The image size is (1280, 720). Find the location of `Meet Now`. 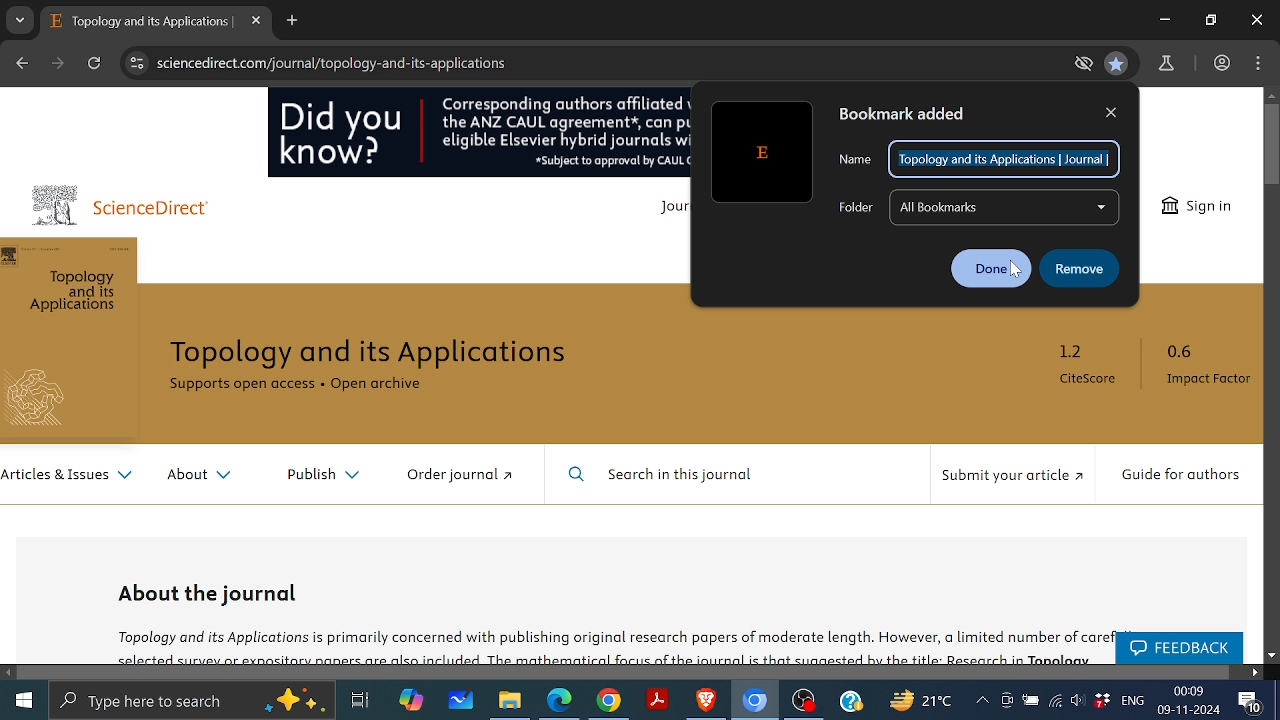

Meet Now is located at coordinates (1005, 699).